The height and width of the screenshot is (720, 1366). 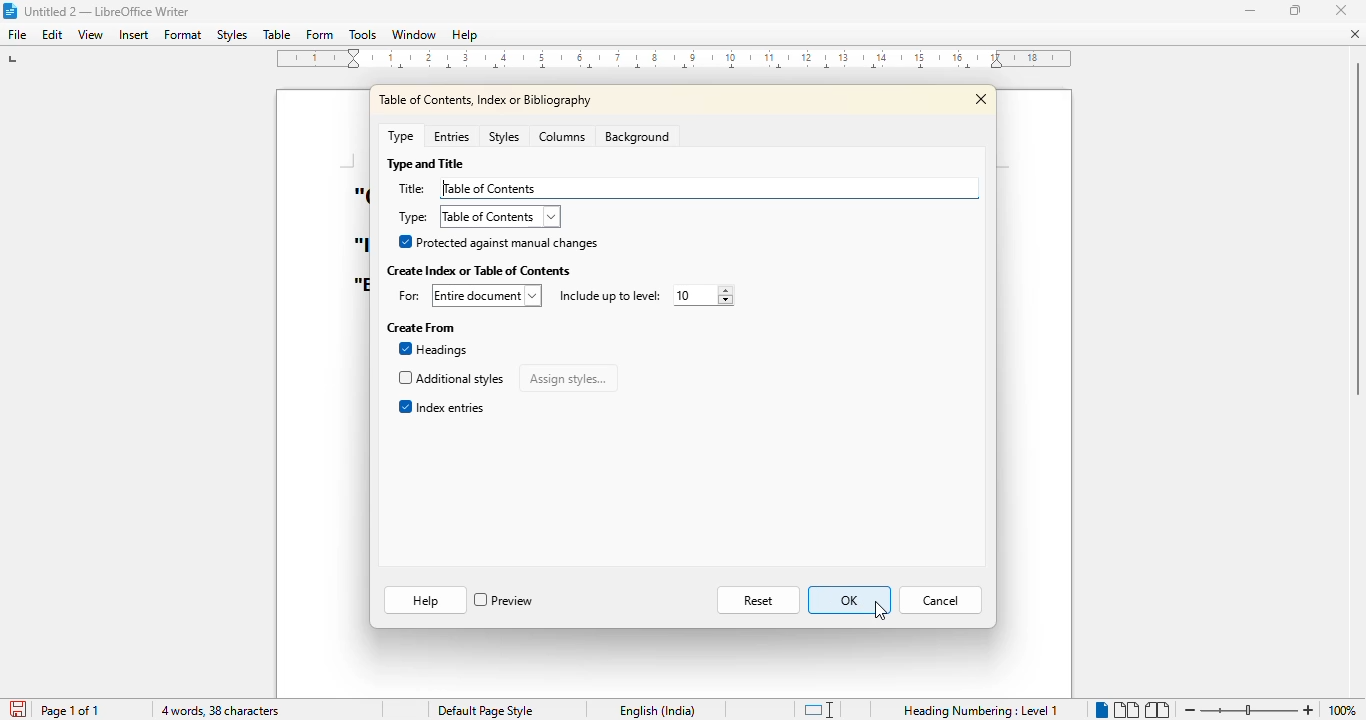 I want to click on preview, so click(x=505, y=600).